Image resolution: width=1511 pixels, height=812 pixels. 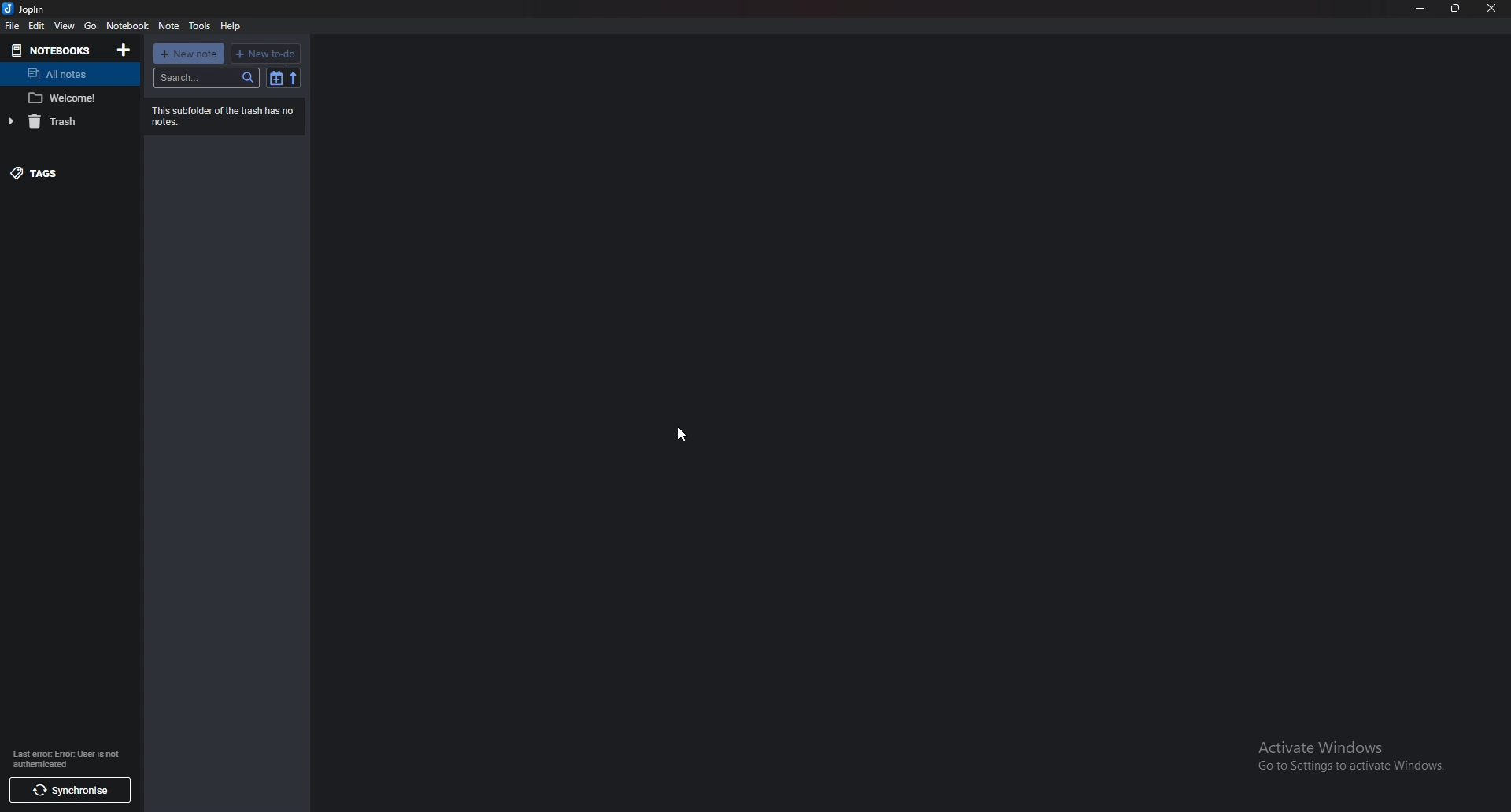 What do you see at coordinates (231, 27) in the screenshot?
I see `help` at bounding box center [231, 27].